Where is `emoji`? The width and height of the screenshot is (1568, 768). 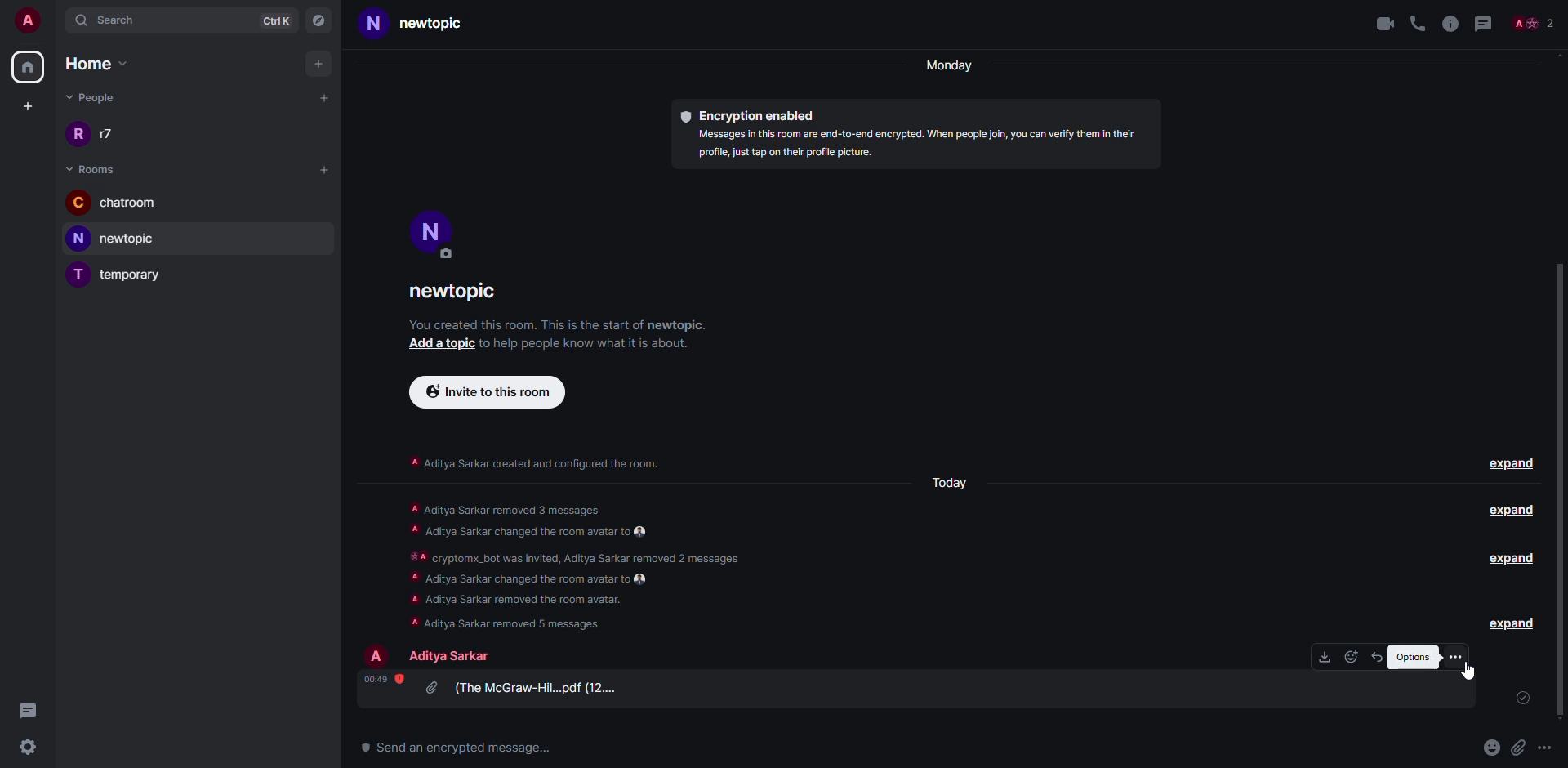 emoji is located at coordinates (1492, 746).